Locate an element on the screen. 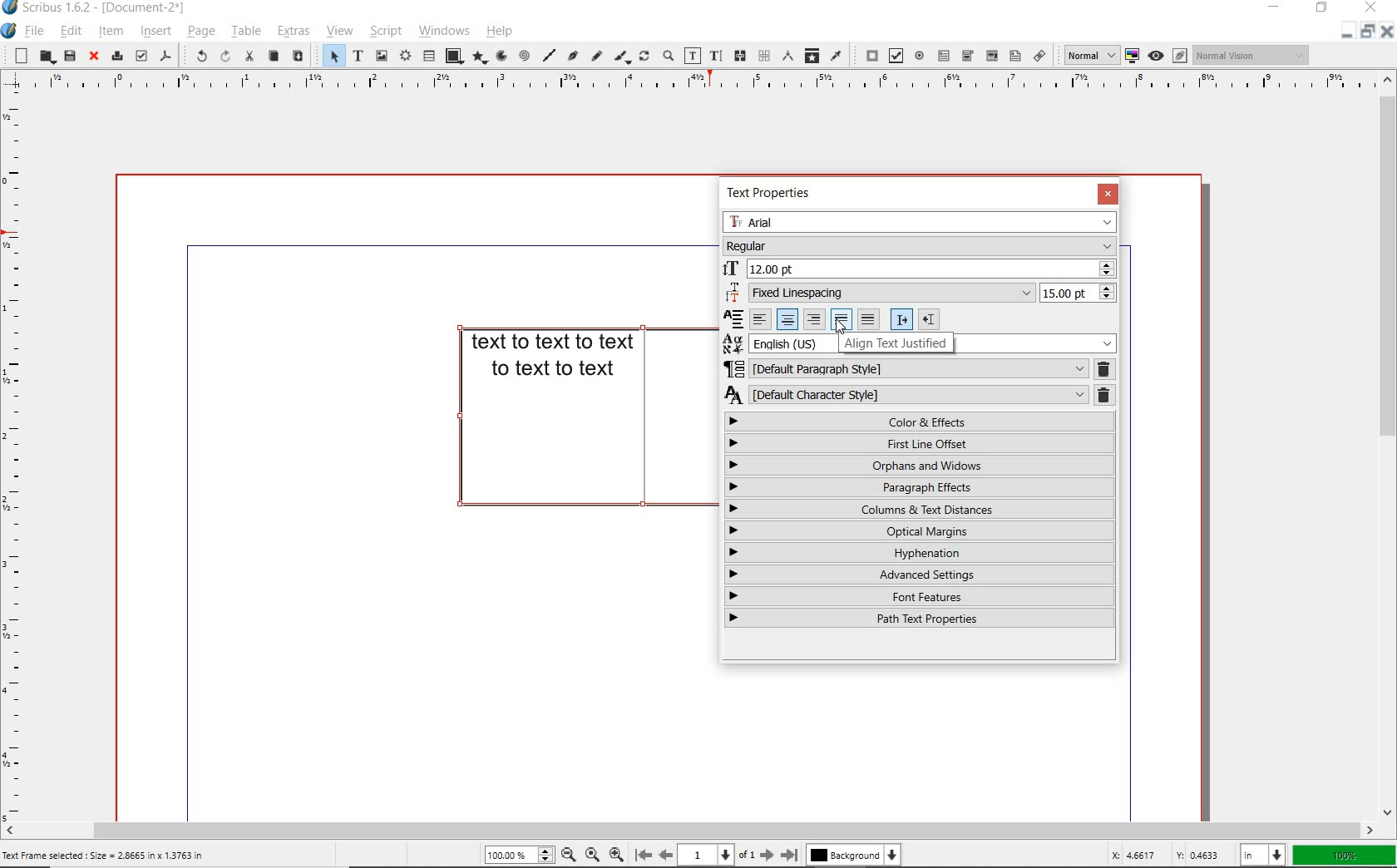 The width and height of the screenshot is (1397, 868). align right is located at coordinates (814, 318).